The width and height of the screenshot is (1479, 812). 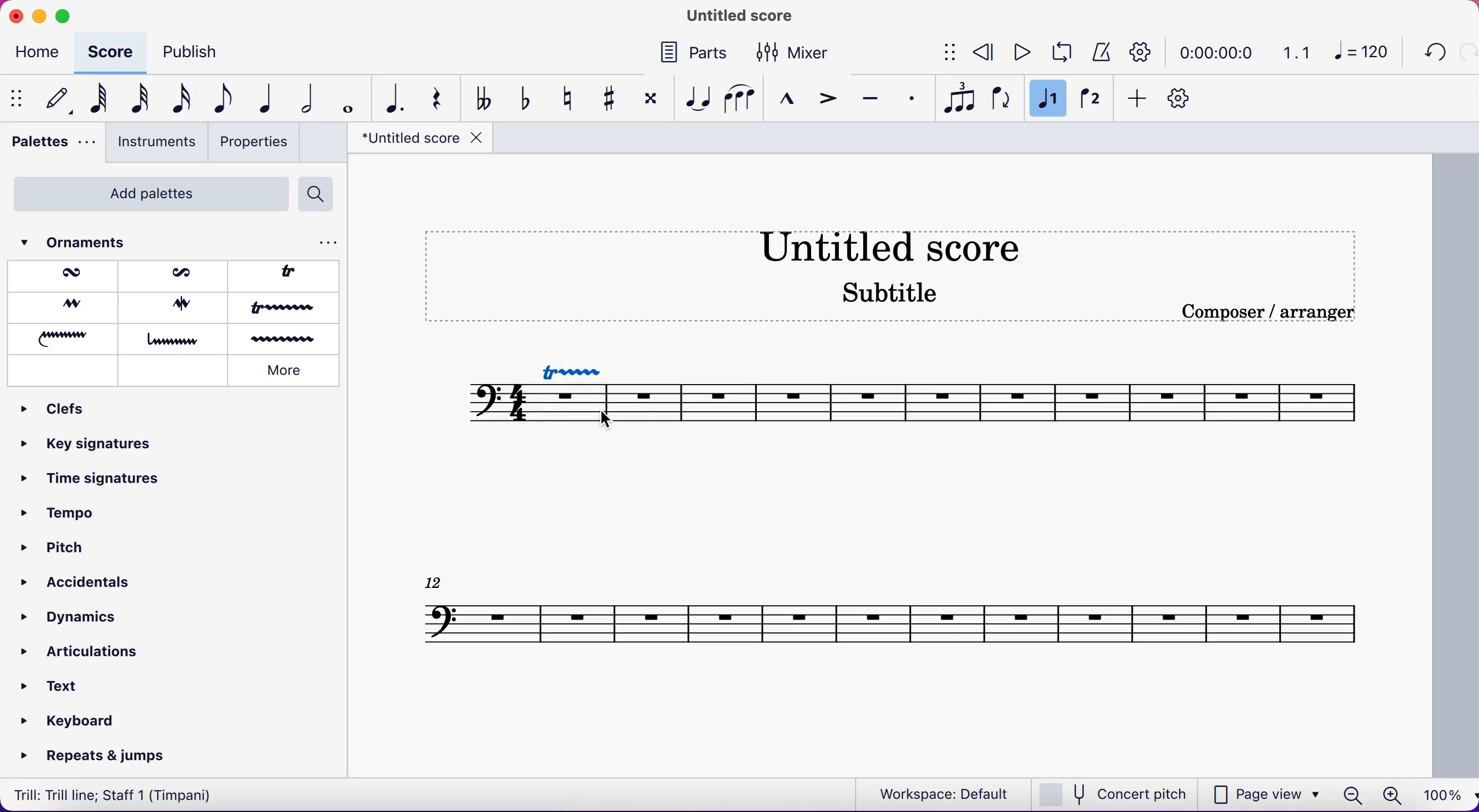 What do you see at coordinates (68, 517) in the screenshot?
I see `tempo` at bounding box center [68, 517].